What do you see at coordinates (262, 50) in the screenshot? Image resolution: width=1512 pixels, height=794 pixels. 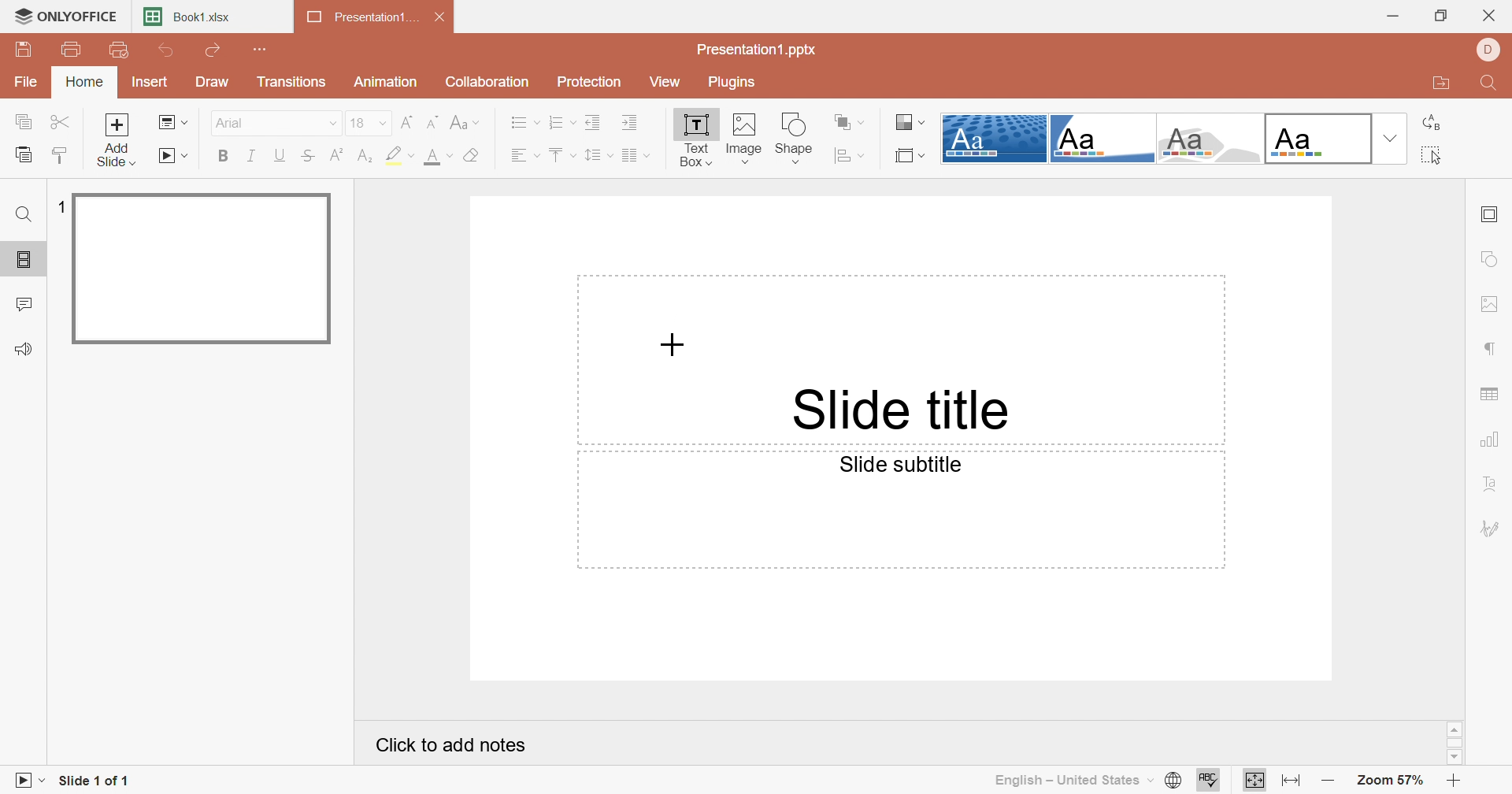 I see `Customize Quick Access Toolbar` at bounding box center [262, 50].